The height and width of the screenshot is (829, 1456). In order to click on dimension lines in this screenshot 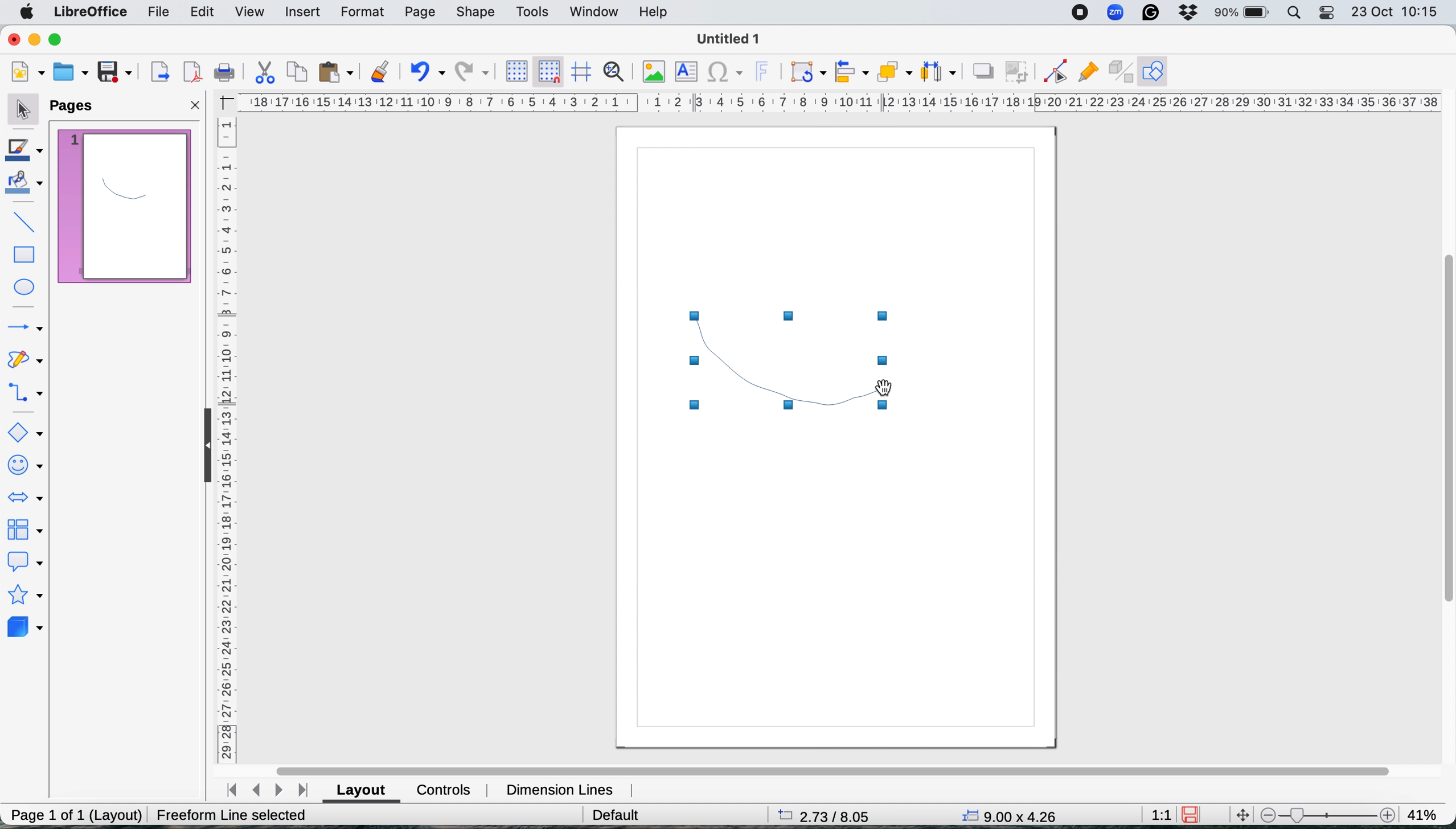, I will do `click(564, 788)`.